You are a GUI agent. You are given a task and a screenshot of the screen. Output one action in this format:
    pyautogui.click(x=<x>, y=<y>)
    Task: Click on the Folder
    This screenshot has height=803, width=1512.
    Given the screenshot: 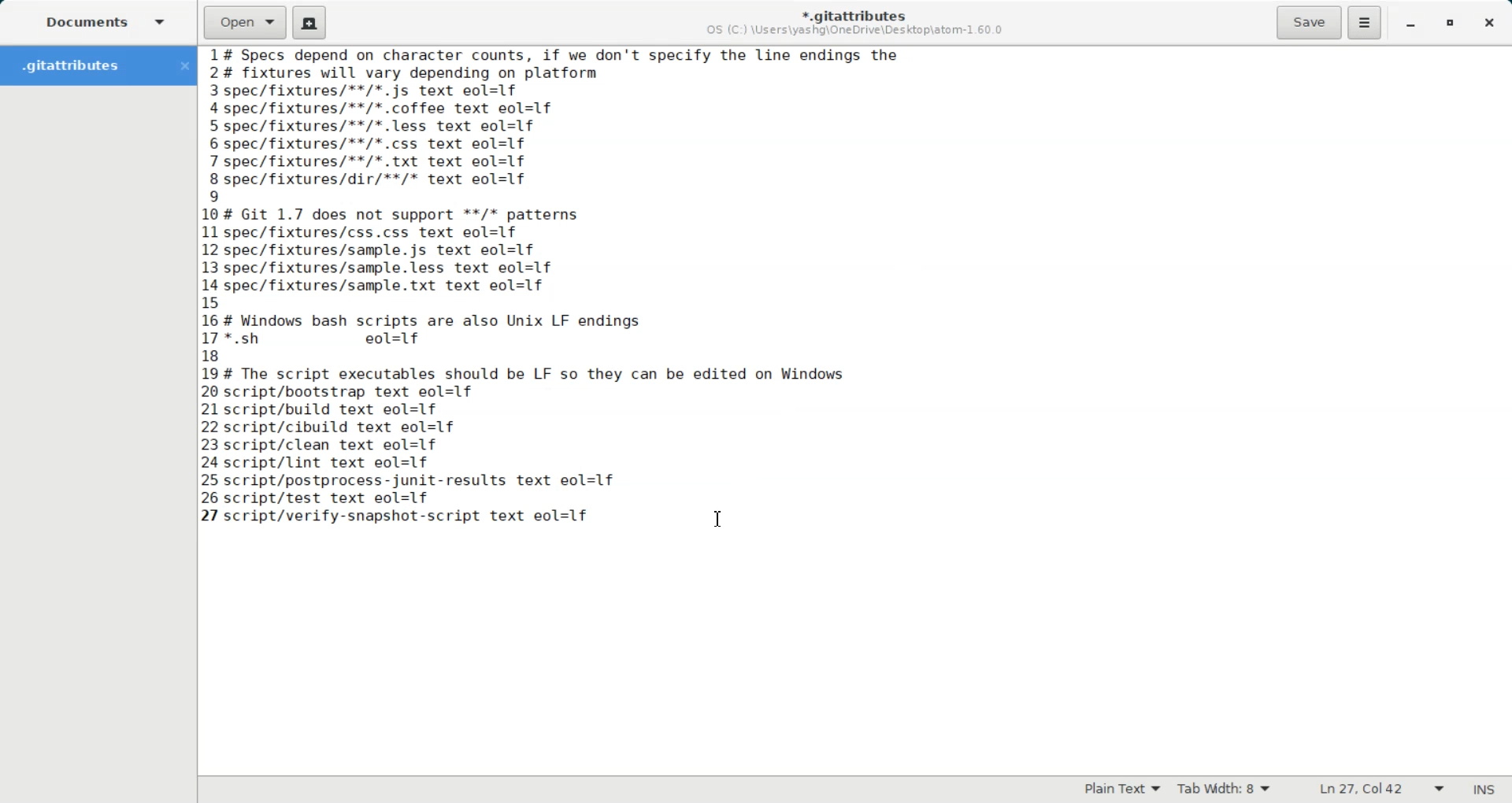 What is the action you would take?
    pyautogui.click(x=82, y=65)
    